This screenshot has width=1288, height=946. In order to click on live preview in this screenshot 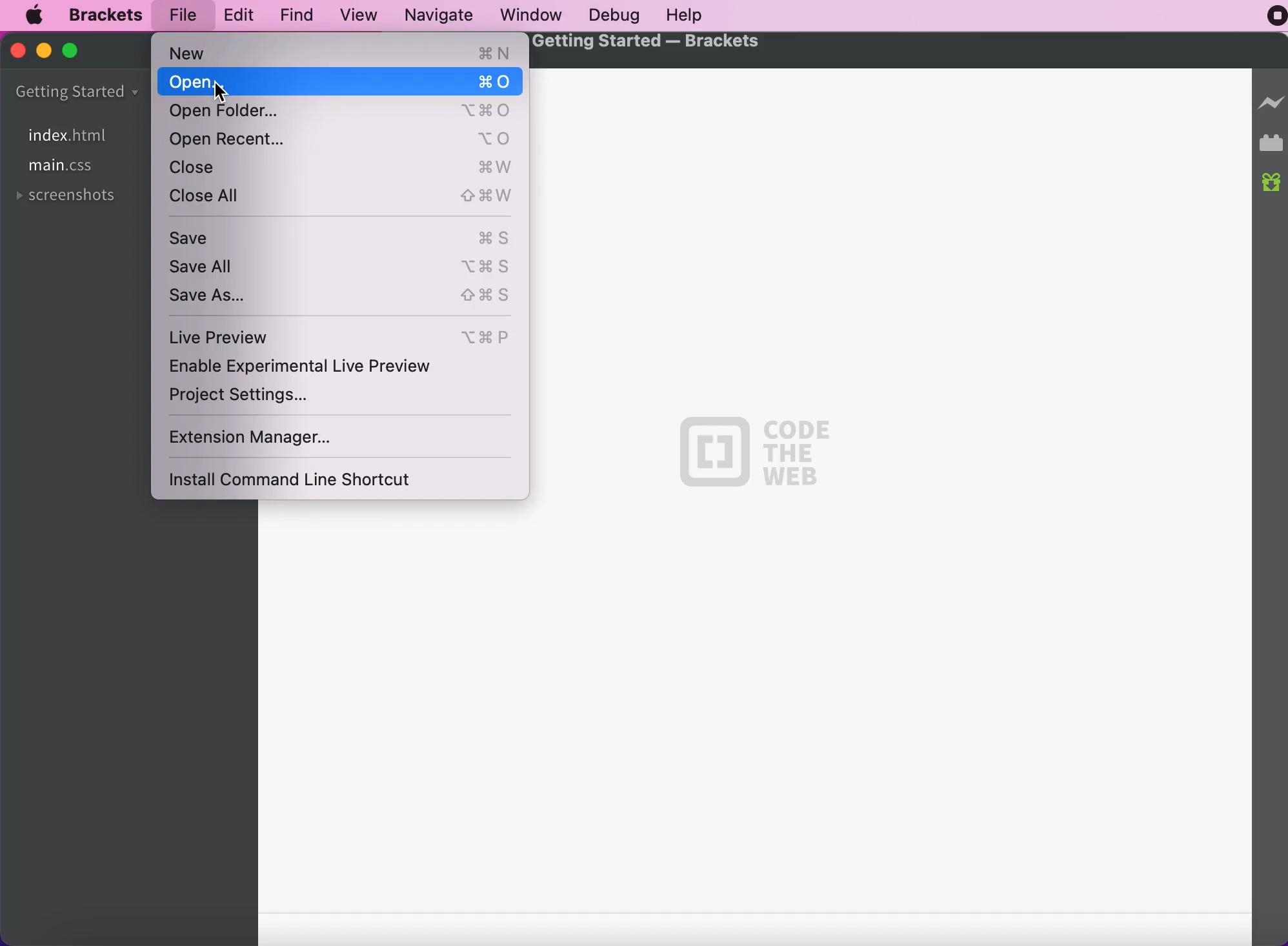, I will do `click(341, 334)`.